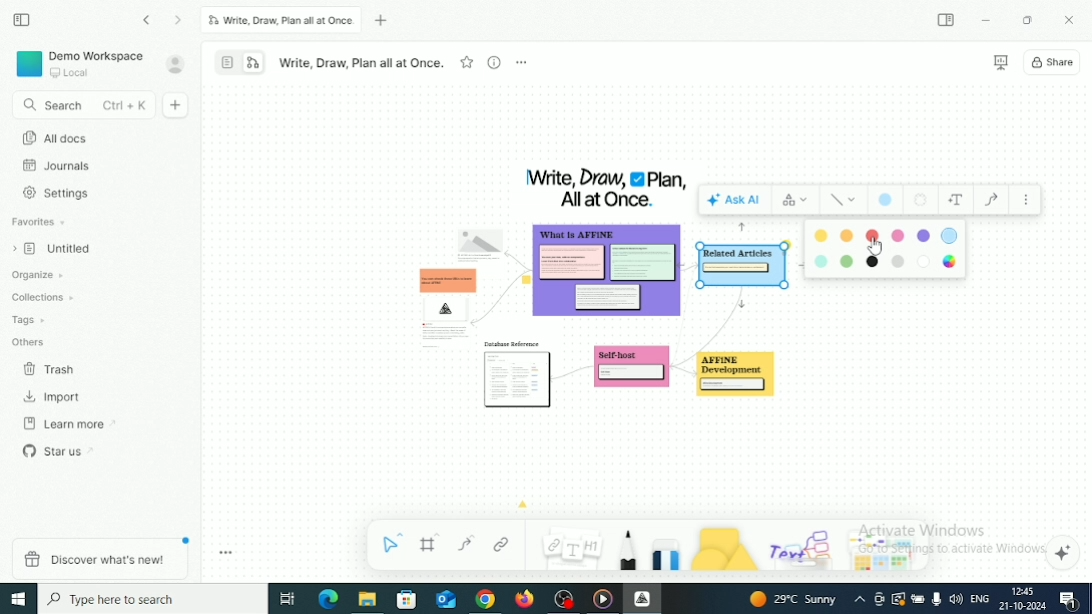  Describe the element at coordinates (724, 548) in the screenshot. I see `Shape` at that location.